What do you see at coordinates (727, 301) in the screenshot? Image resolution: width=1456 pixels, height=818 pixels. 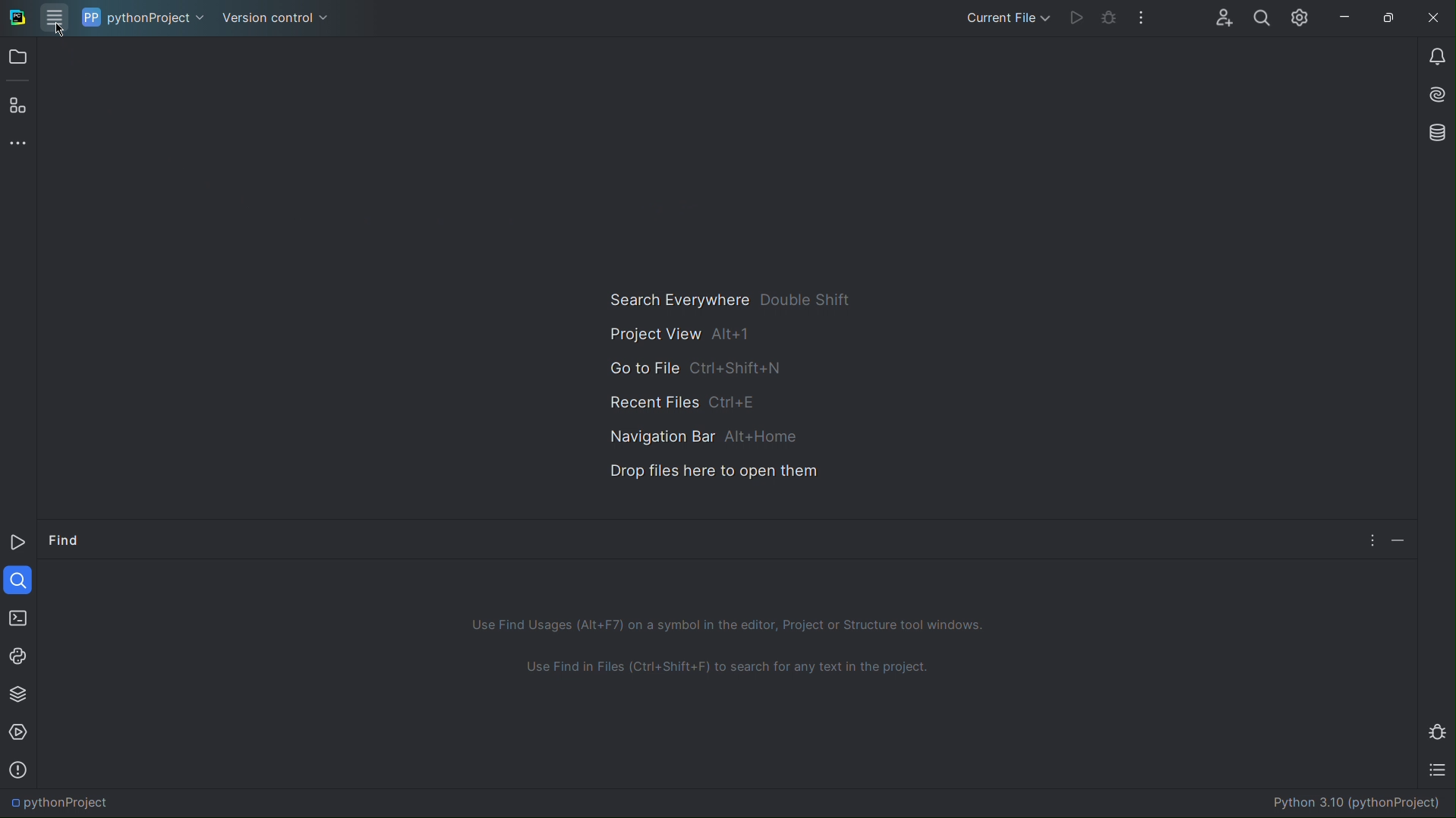 I see `Search Everywhere` at bounding box center [727, 301].